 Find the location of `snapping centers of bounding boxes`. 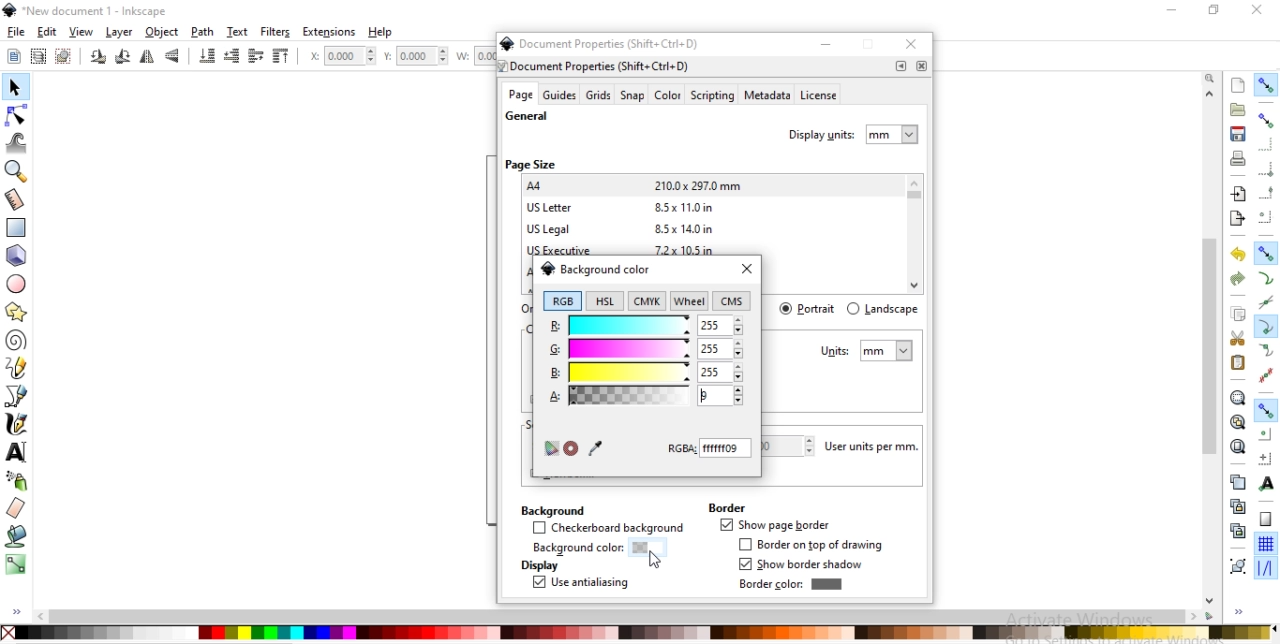

snapping centers of bounding boxes is located at coordinates (1265, 217).